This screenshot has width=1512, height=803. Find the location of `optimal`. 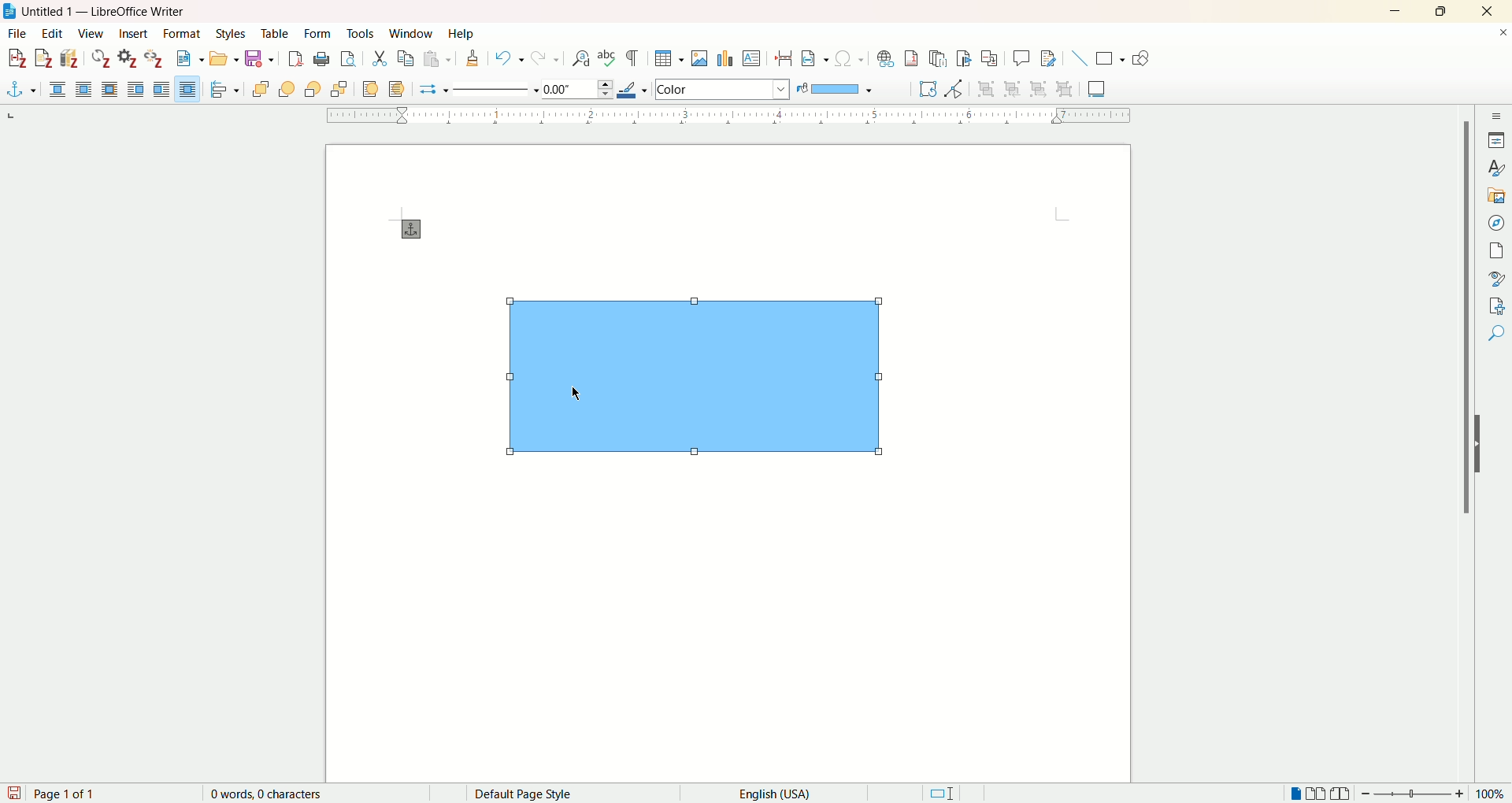

optimal is located at coordinates (111, 89).